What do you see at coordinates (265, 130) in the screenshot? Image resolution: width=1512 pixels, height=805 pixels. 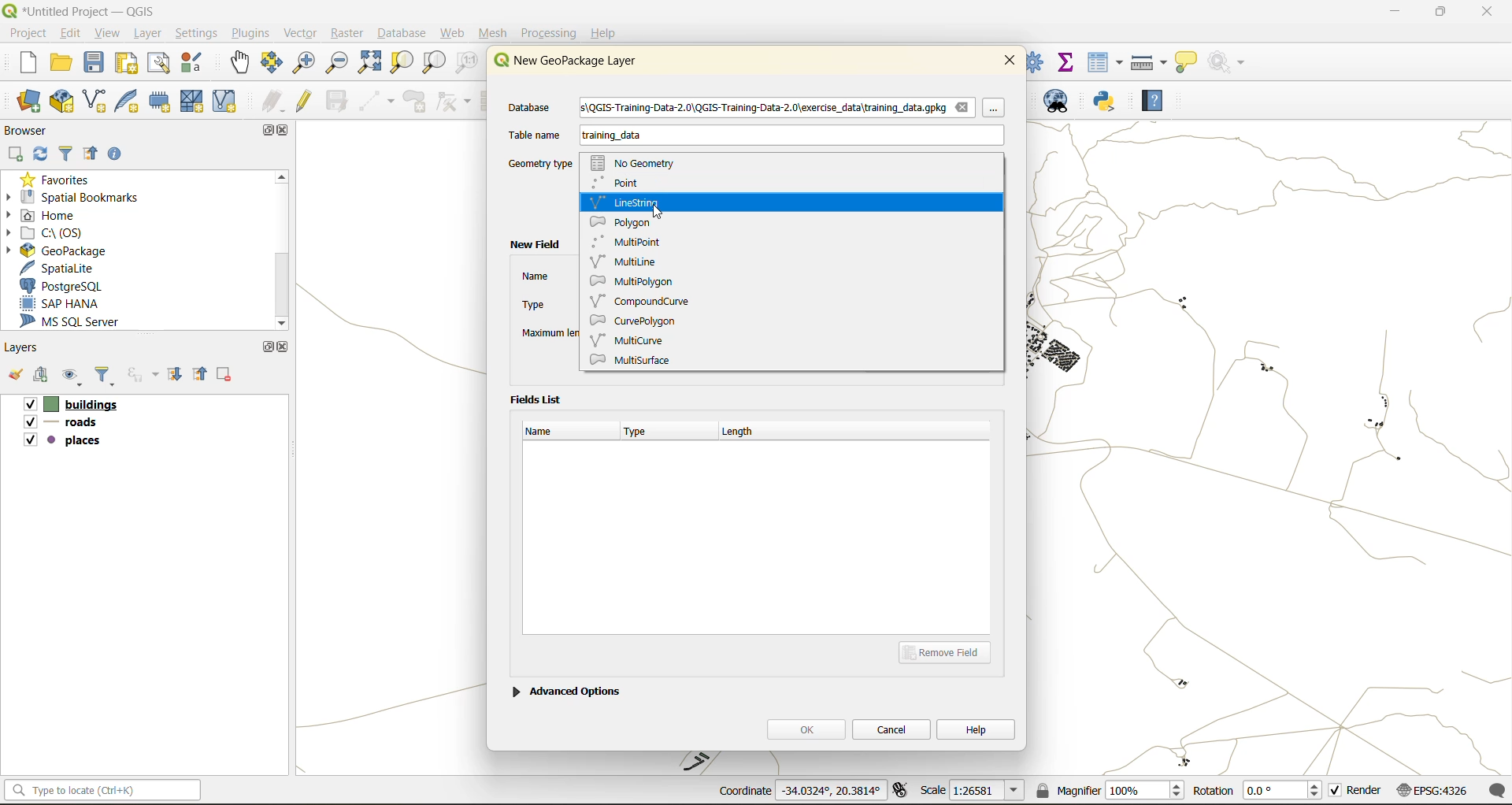 I see `maximize` at bounding box center [265, 130].